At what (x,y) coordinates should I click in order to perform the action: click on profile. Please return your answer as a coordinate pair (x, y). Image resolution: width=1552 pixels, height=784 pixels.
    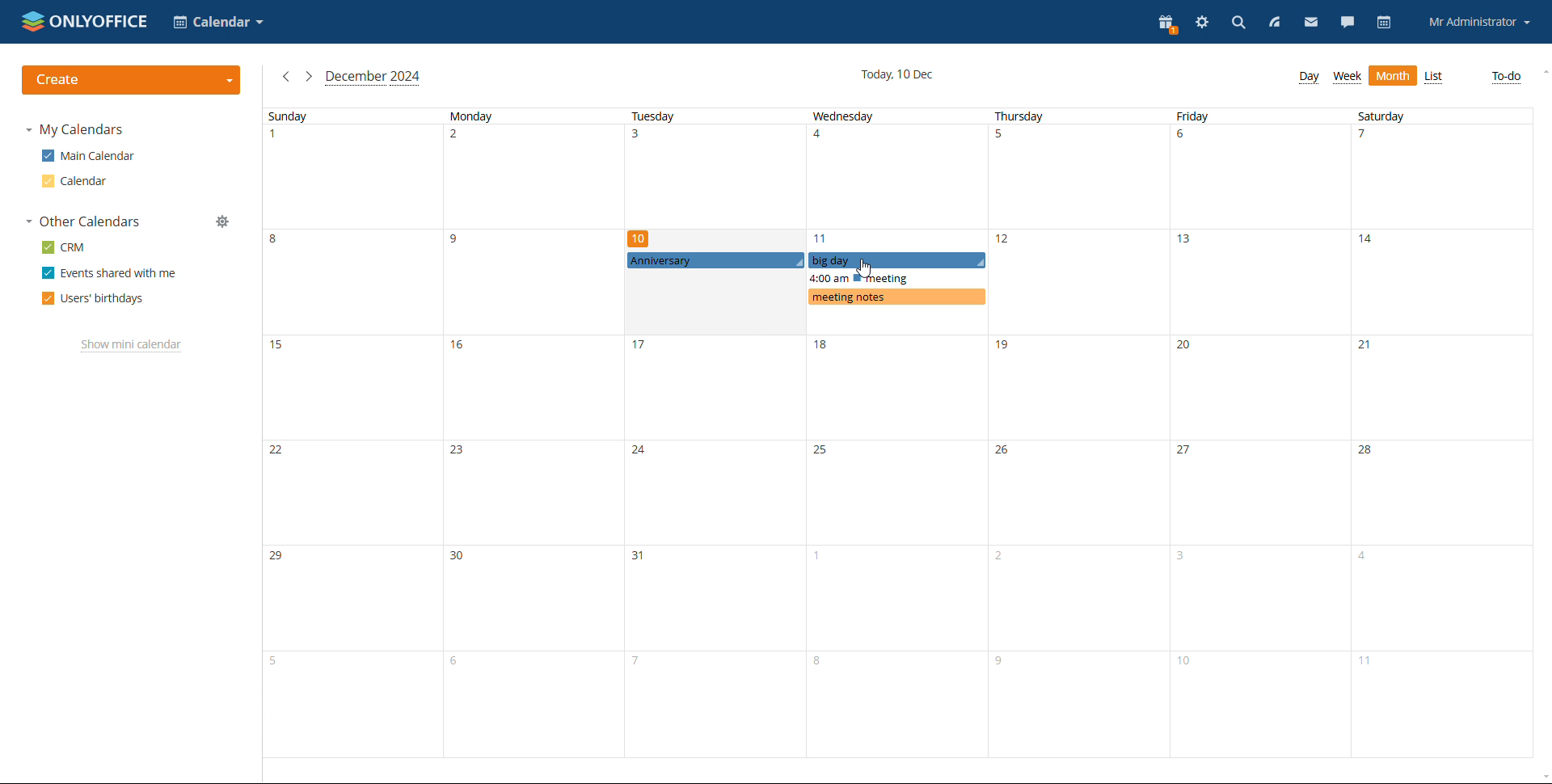
    Looking at the image, I should click on (1480, 23).